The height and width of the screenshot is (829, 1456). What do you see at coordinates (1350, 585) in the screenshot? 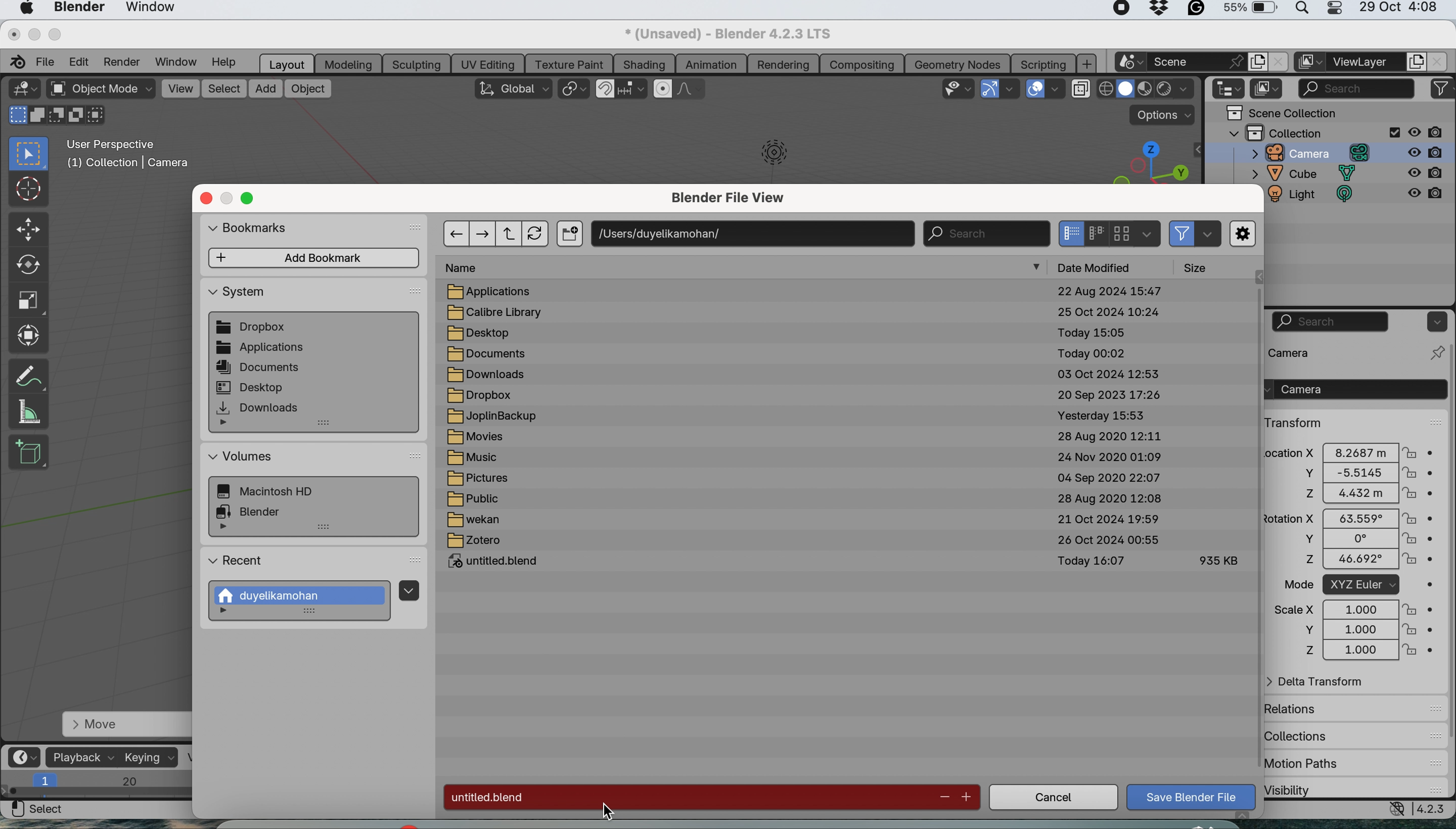
I see `mode XYZ Euler` at bounding box center [1350, 585].